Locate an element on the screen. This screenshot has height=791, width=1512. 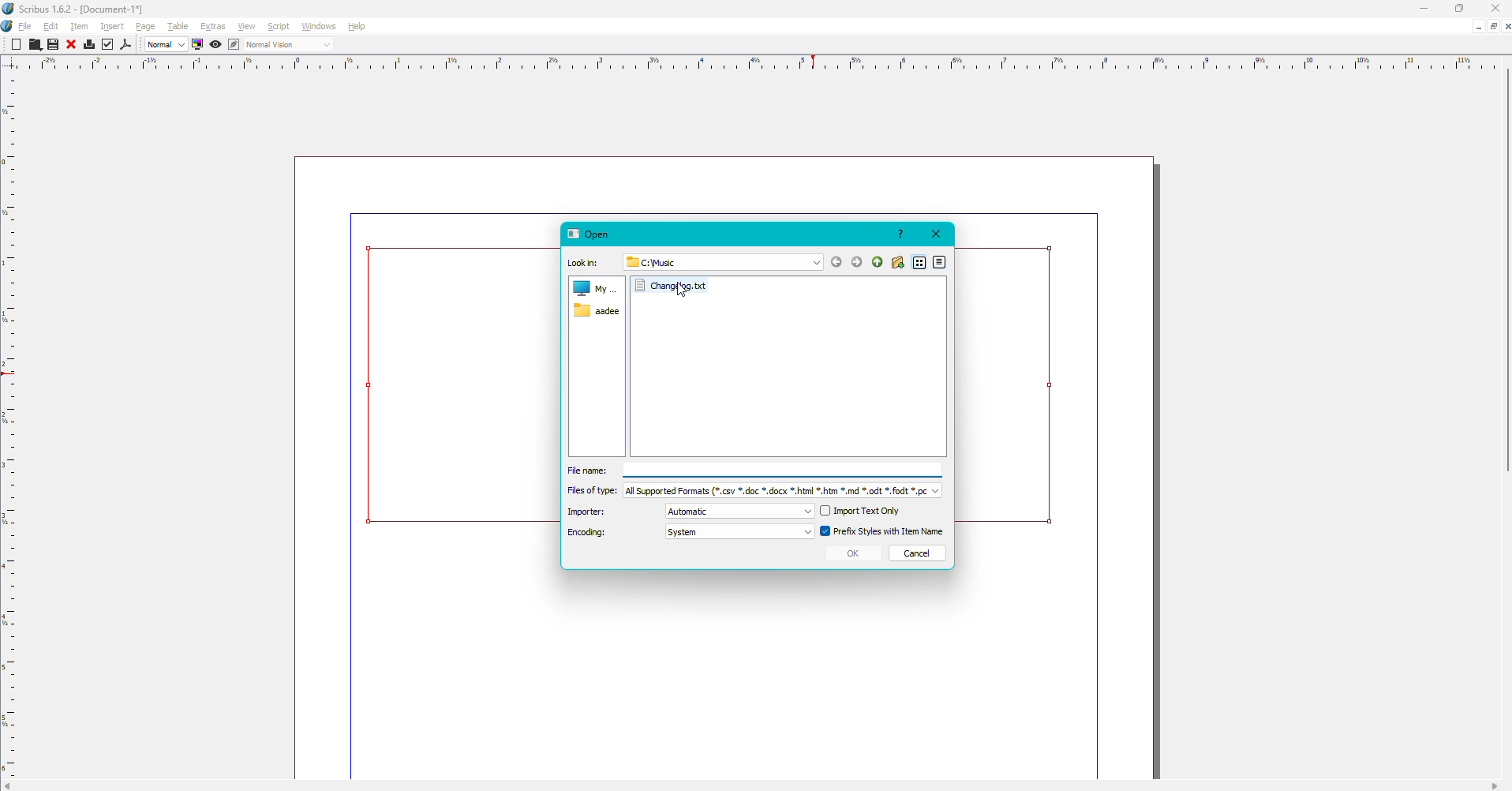
Edit is located at coordinates (51, 27).